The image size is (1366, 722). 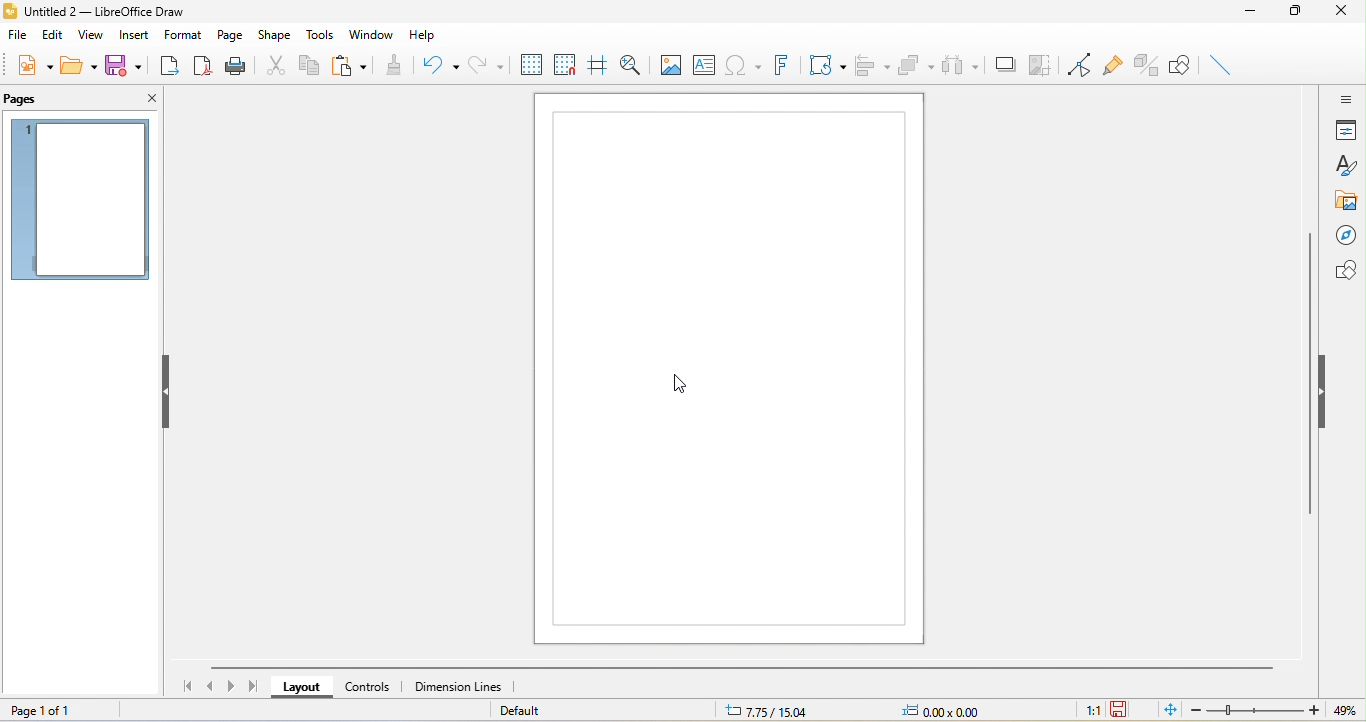 I want to click on horizontal scroll bar, so click(x=744, y=667).